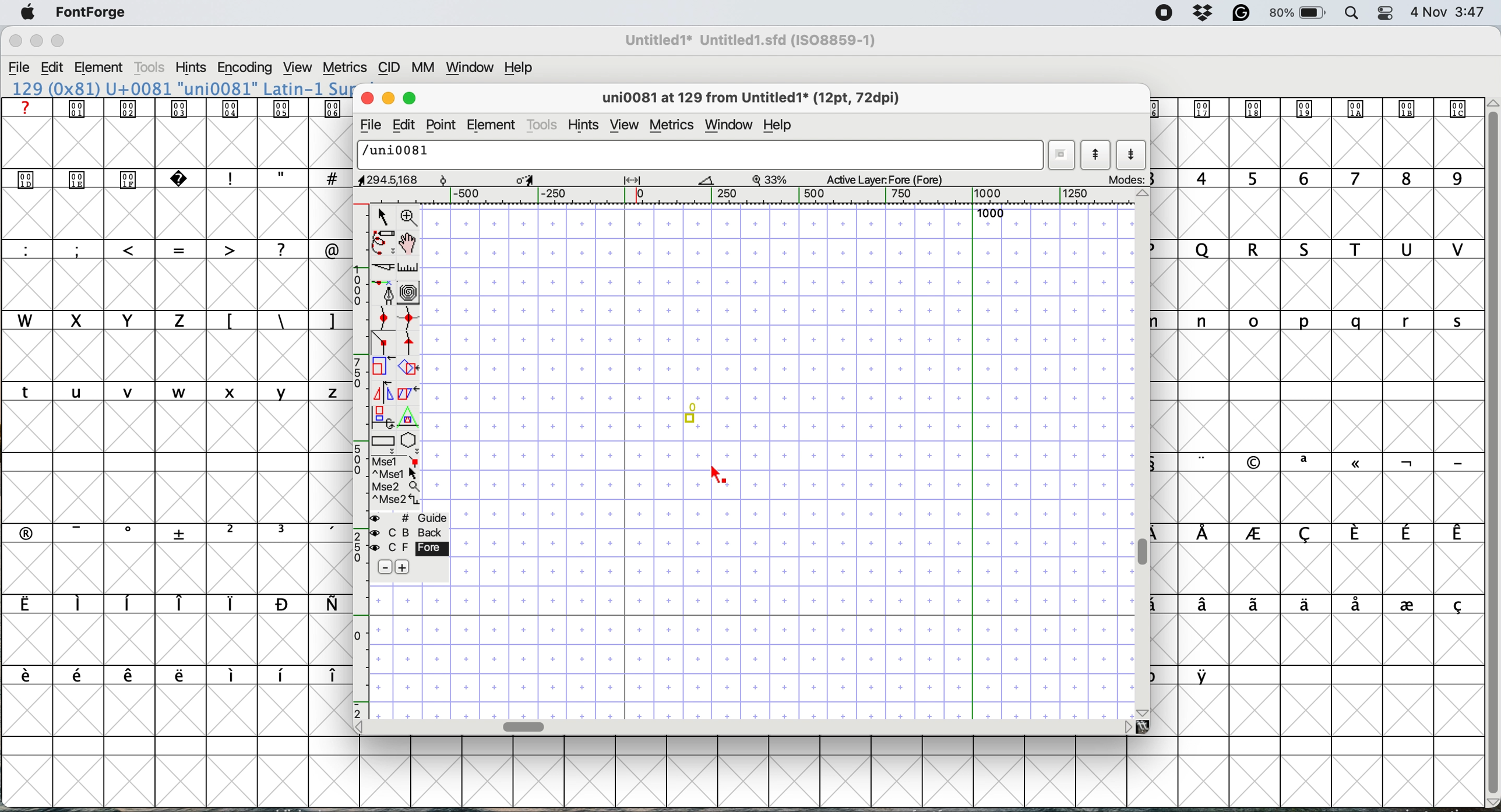 Image resolution: width=1501 pixels, height=812 pixels. What do you see at coordinates (389, 100) in the screenshot?
I see `minimise` at bounding box center [389, 100].